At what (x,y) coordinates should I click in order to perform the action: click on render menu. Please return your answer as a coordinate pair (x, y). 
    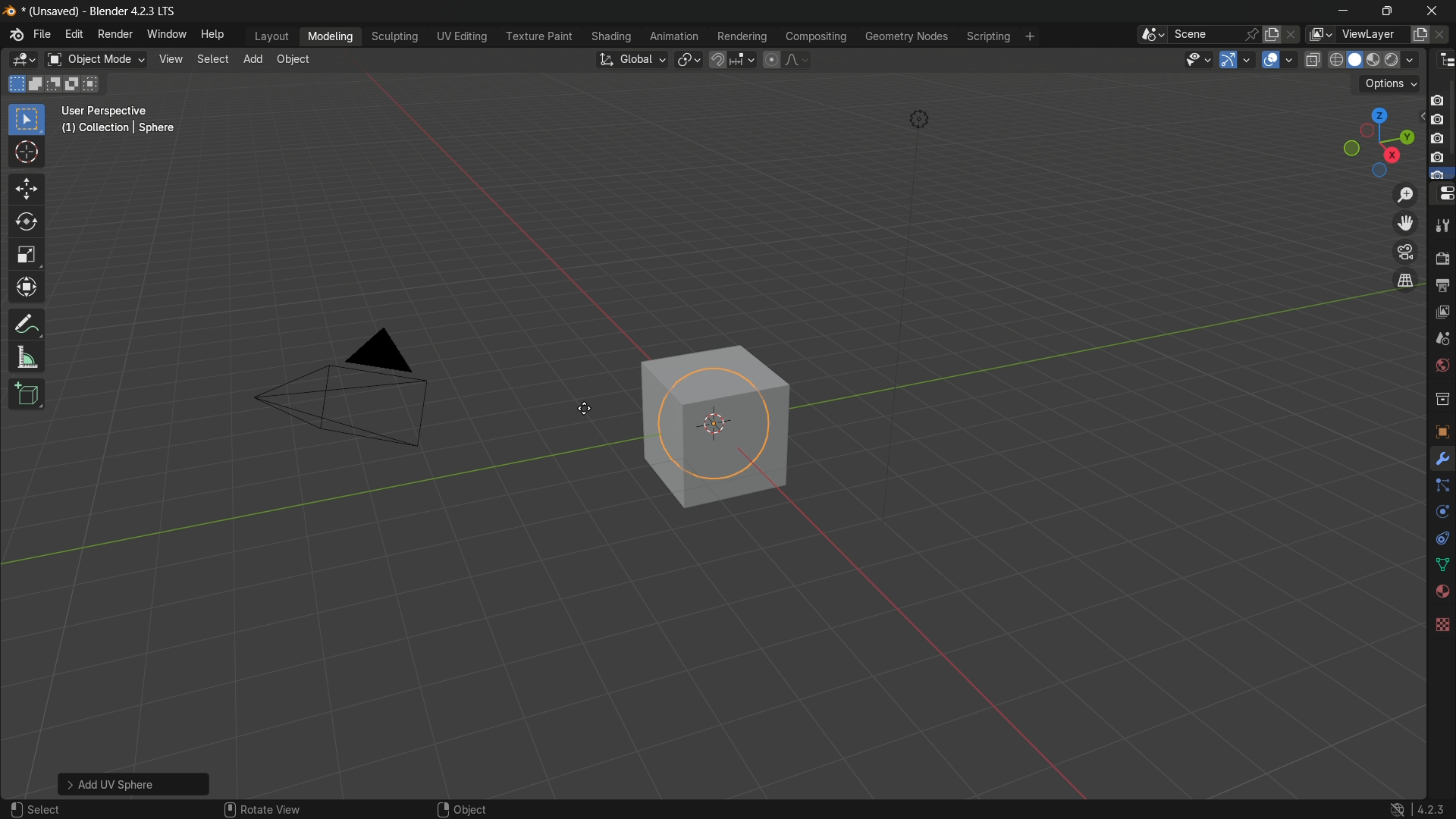
    Looking at the image, I should click on (115, 35).